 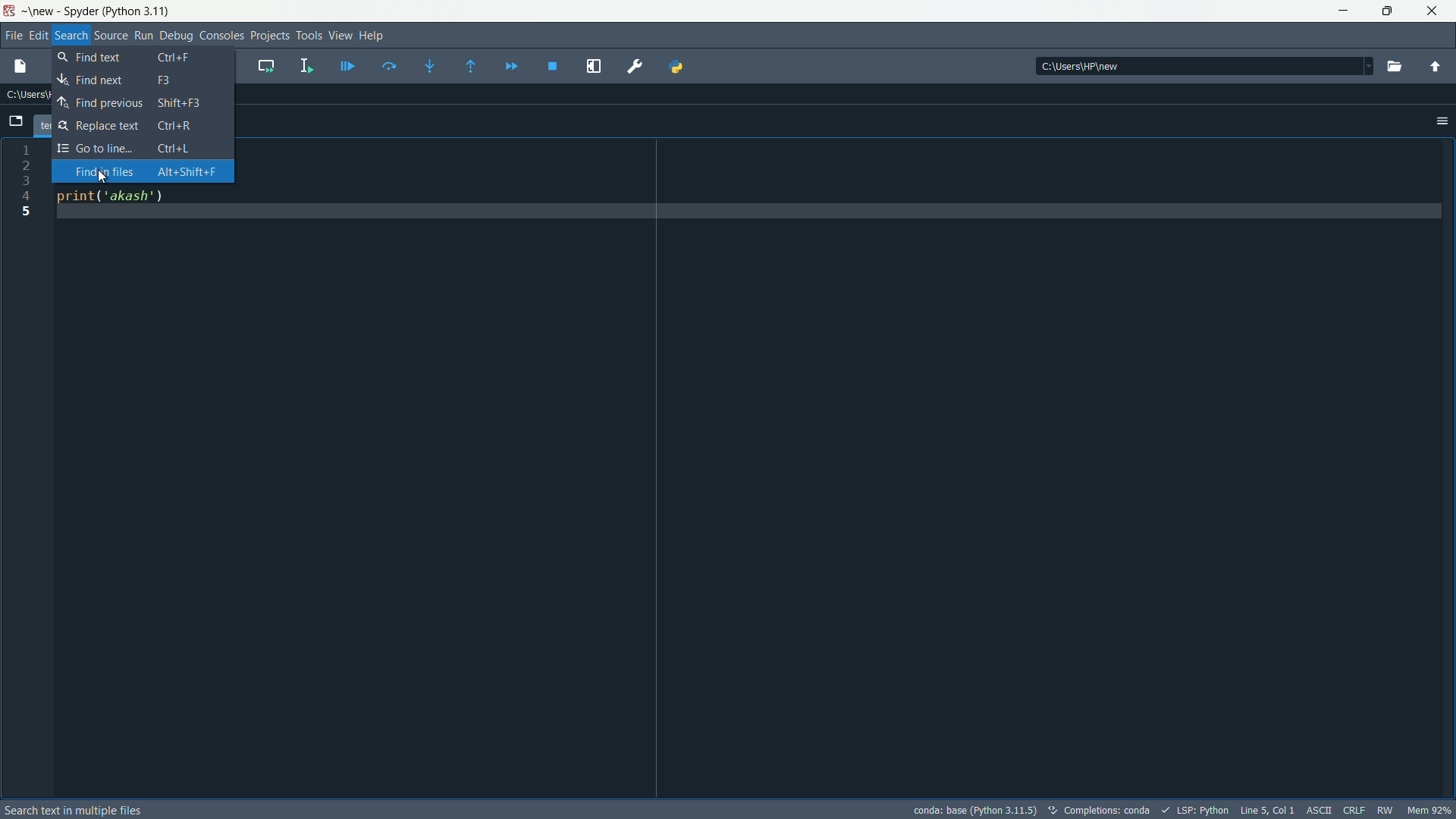 I want to click on find previous, so click(x=143, y=104).